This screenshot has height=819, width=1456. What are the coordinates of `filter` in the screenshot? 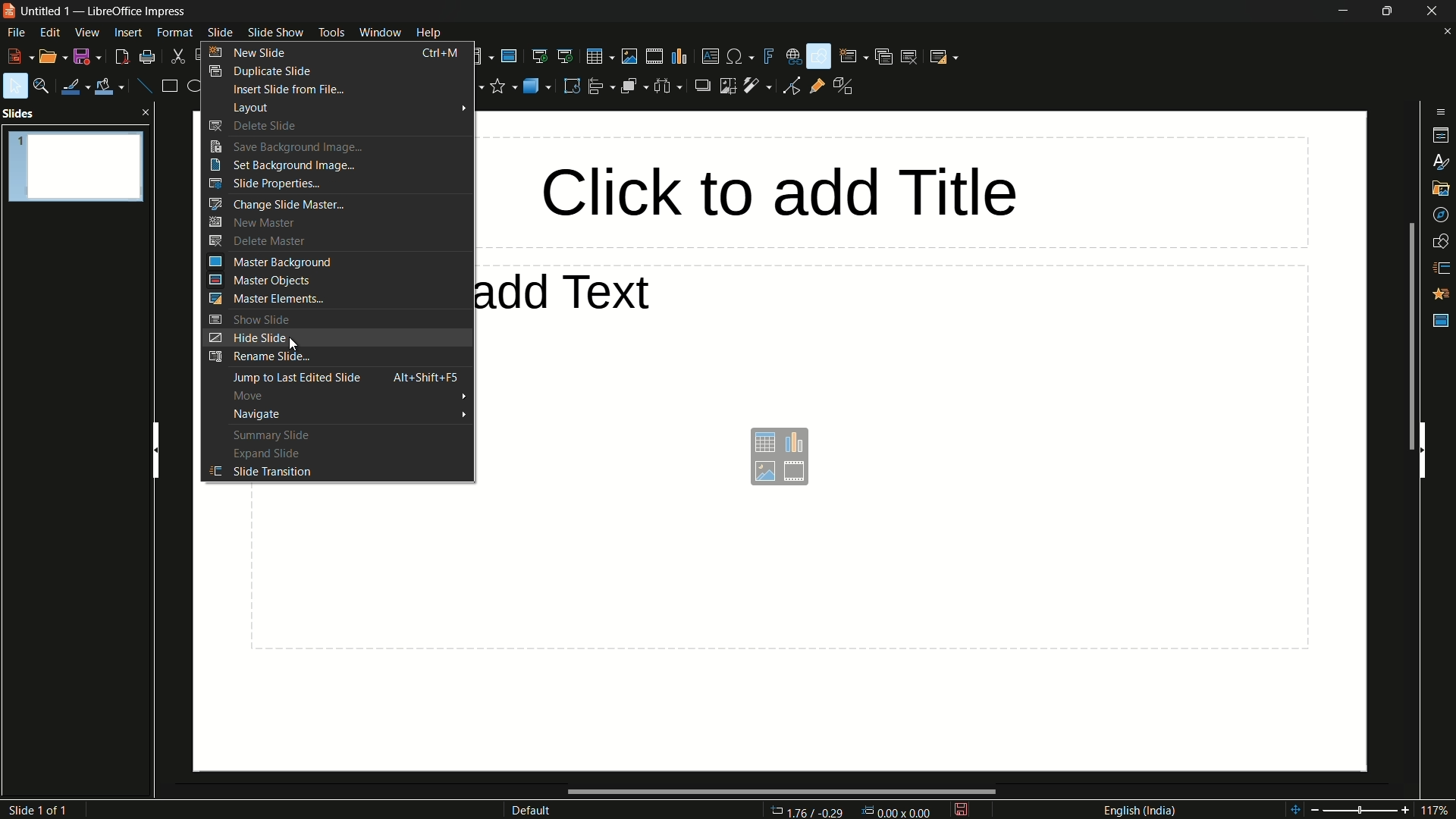 It's located at (758, 86).